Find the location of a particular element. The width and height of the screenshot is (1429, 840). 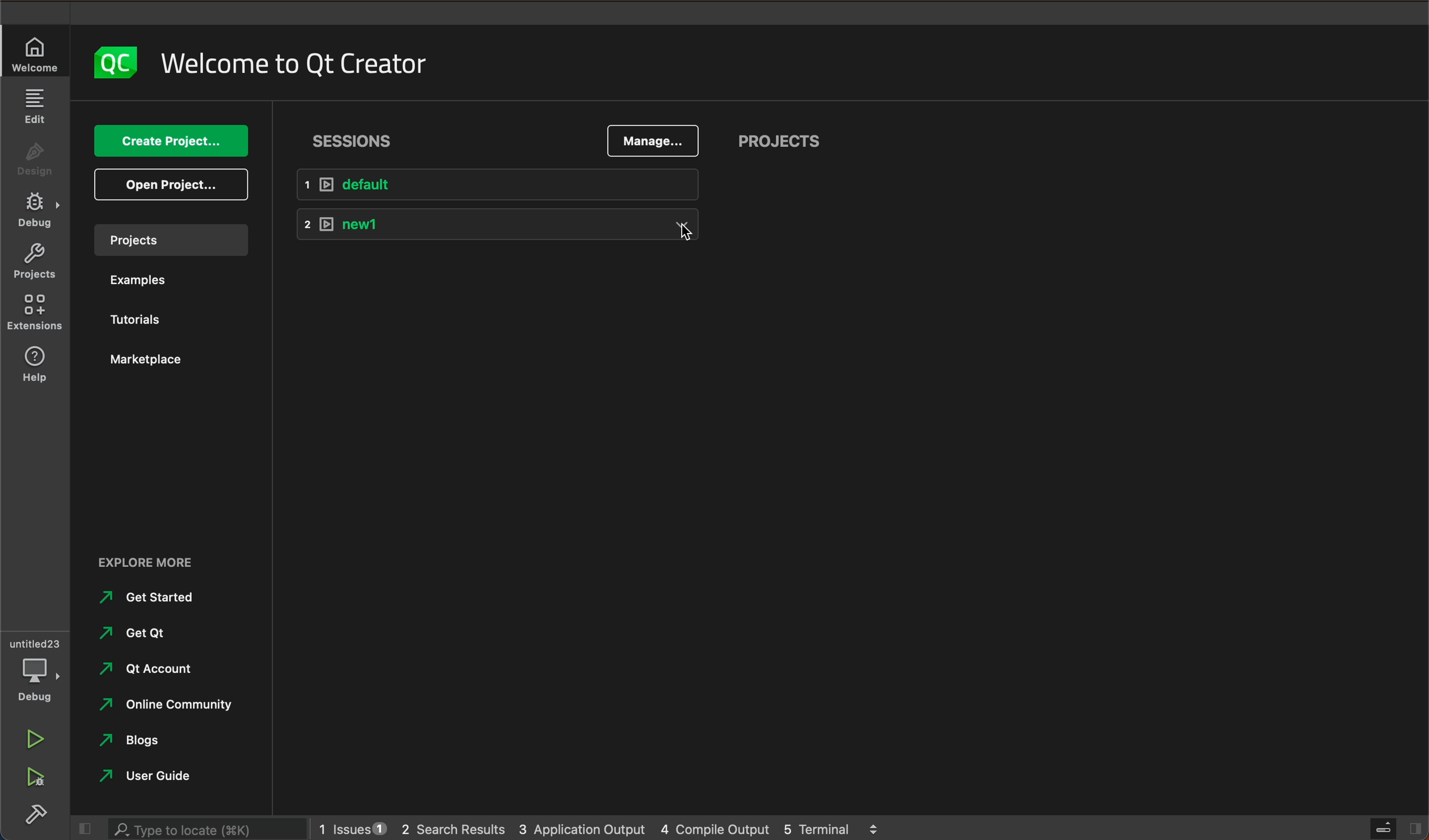

debug is located at coordinates (36, 214).